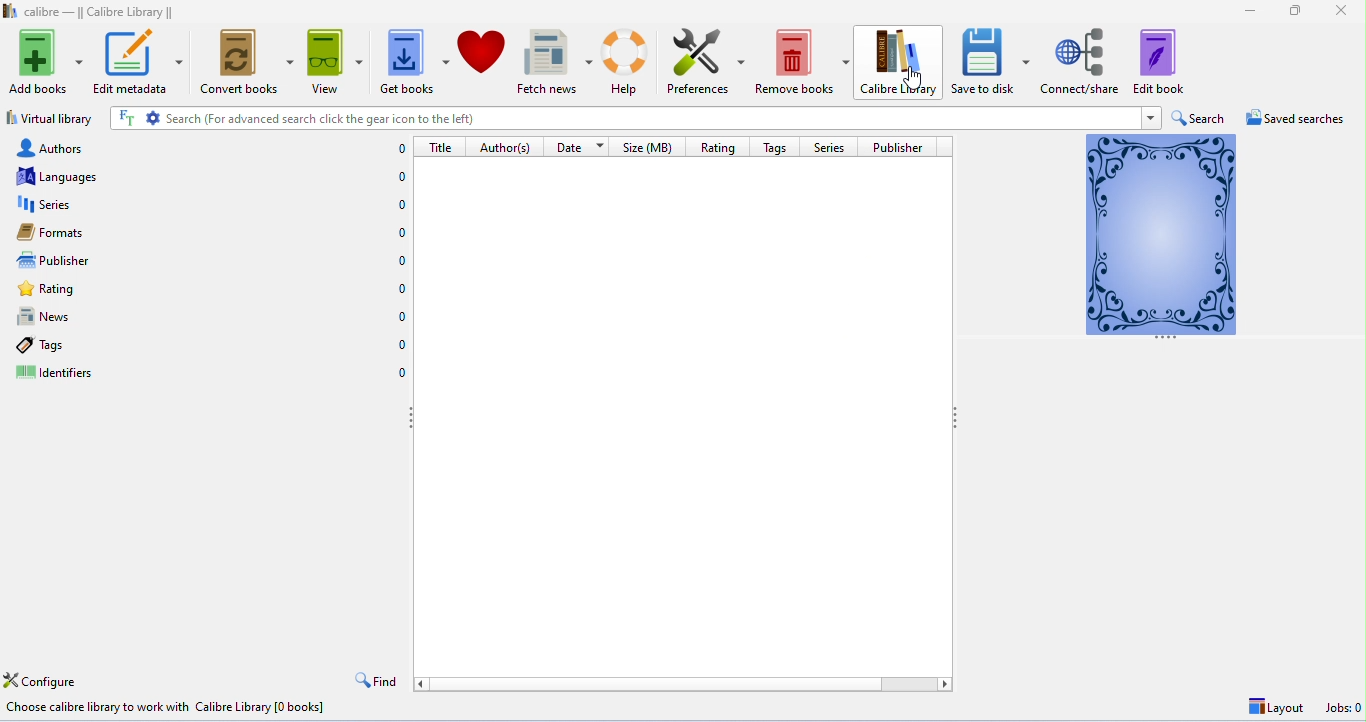 The image size is (1366, 722). What do you see at coordinates (1341, 13) in the screenshot?
I see `close` at bounding box center [1341, 13].